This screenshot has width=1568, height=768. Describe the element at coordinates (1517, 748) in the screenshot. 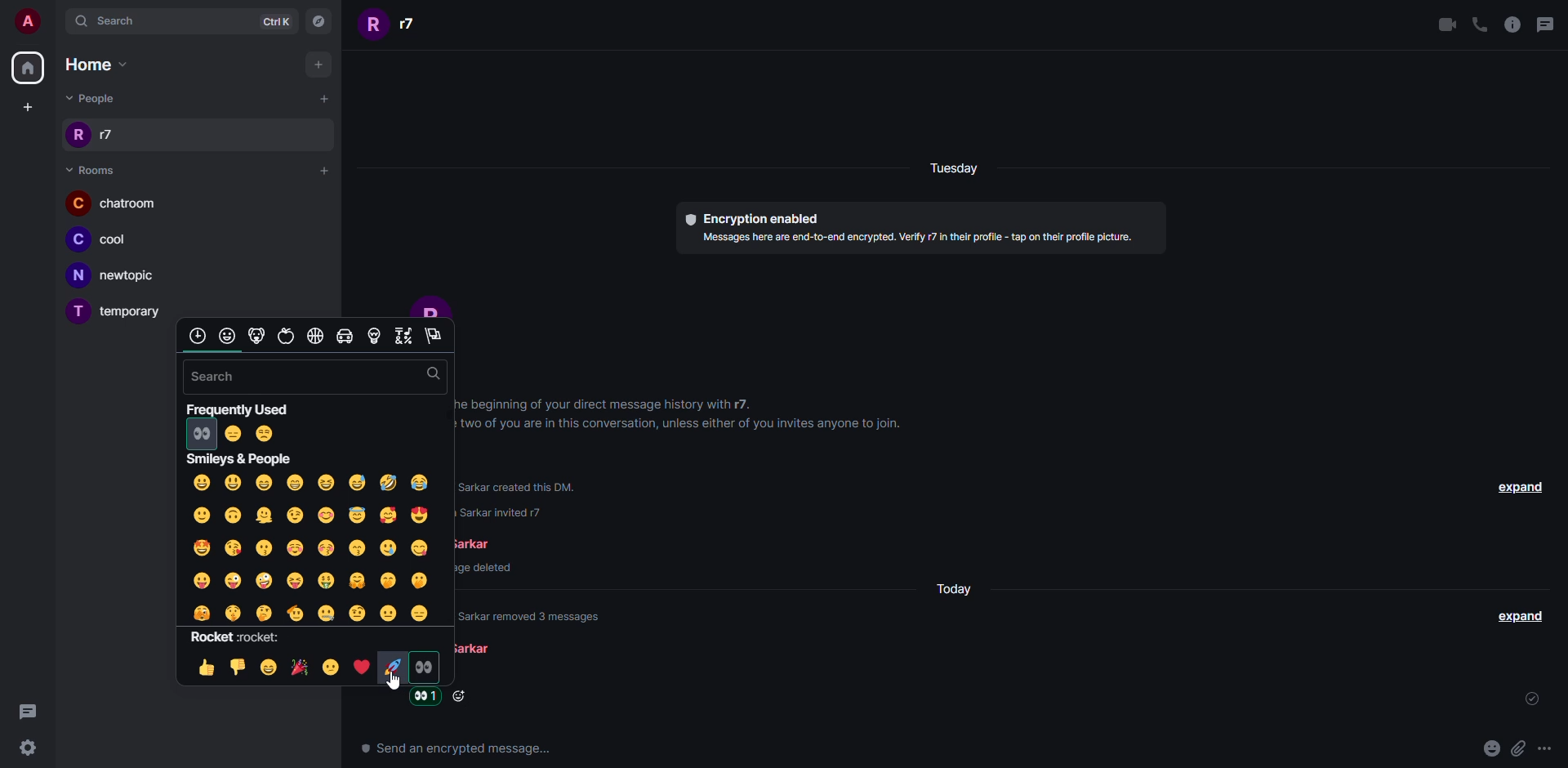

I see `attach` at that location.